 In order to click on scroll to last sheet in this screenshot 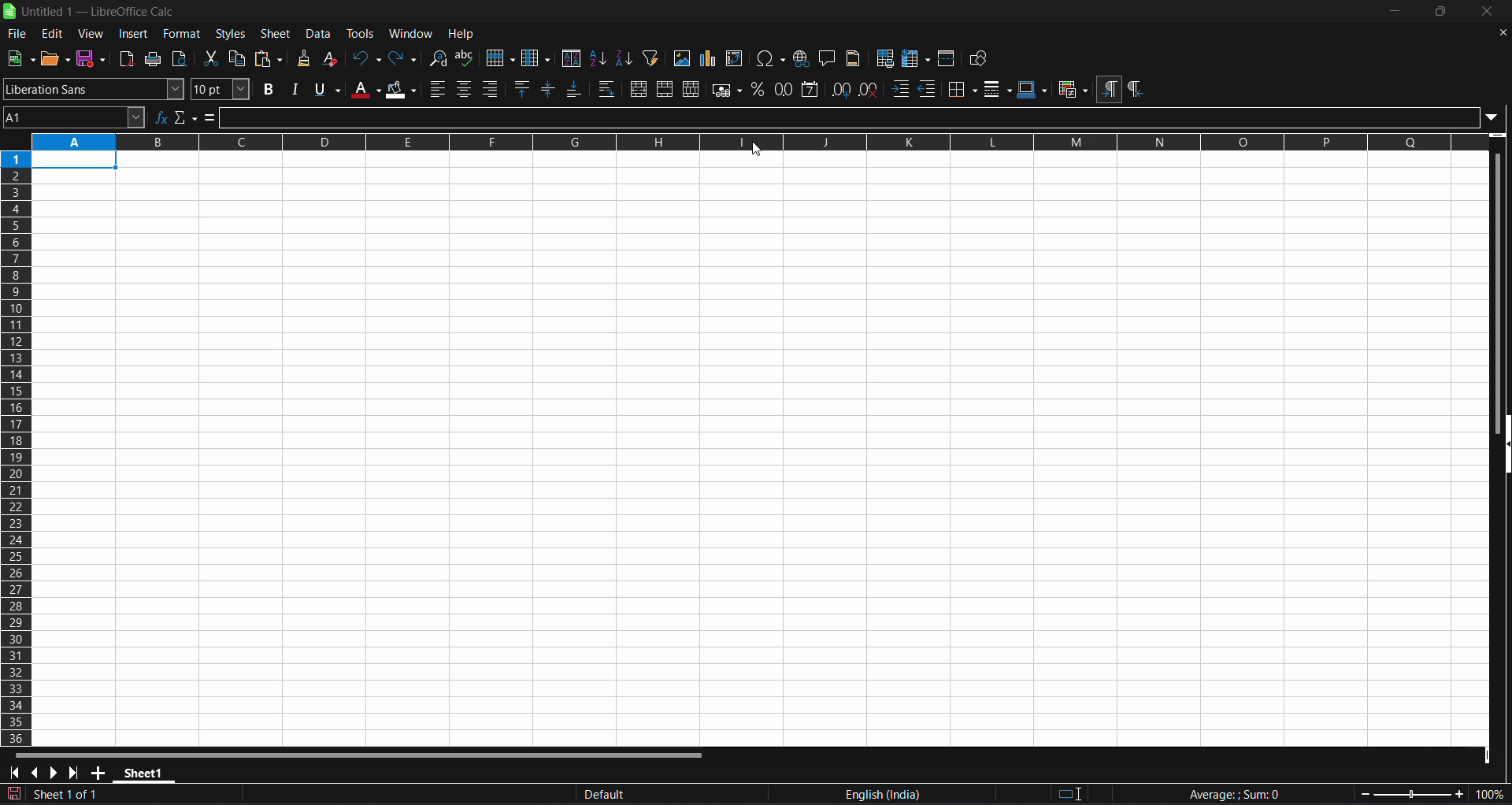, I will do `click(78, 773)`.